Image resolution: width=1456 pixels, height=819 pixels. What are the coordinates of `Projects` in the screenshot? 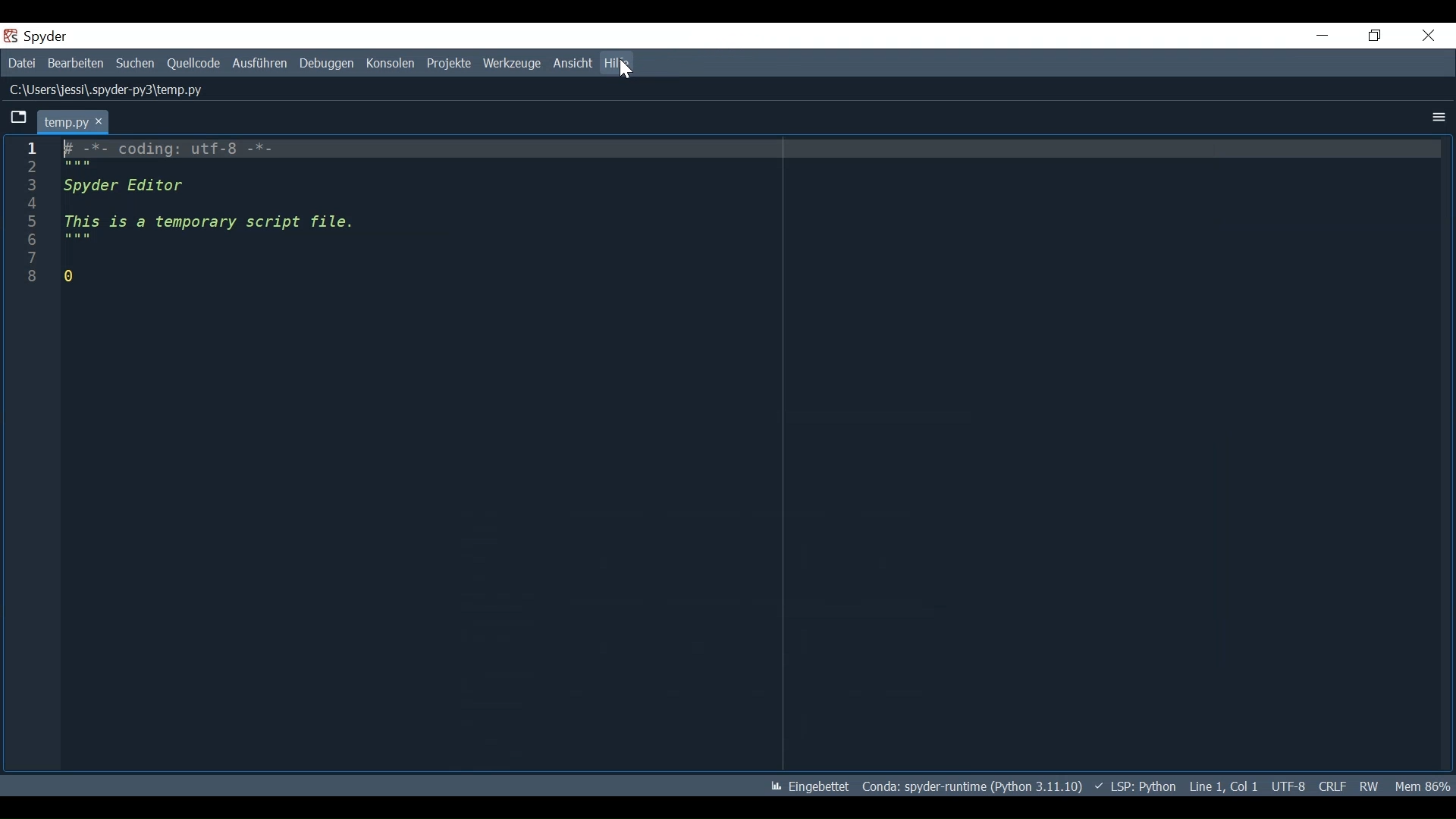 It's located at (447, 64).